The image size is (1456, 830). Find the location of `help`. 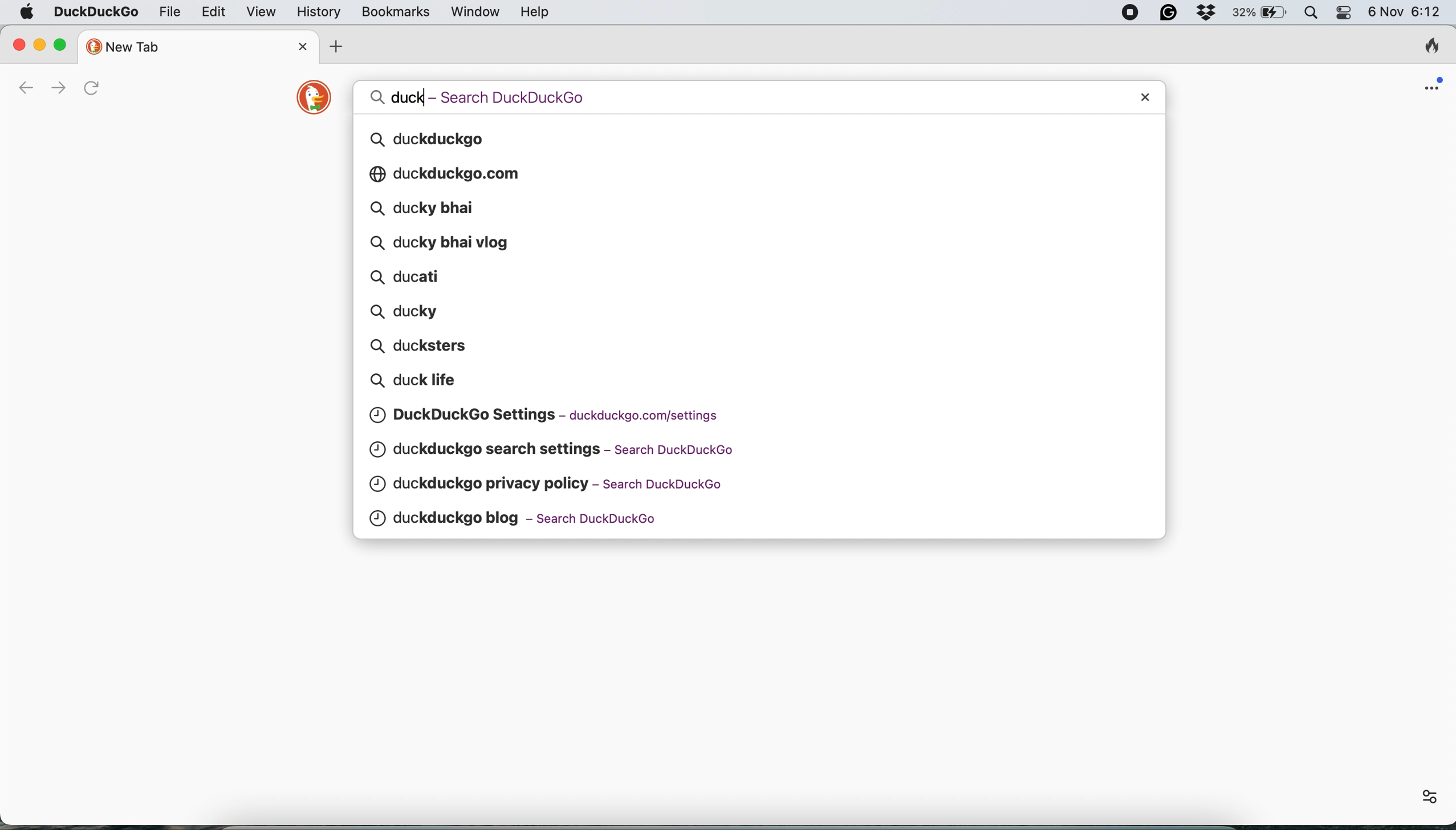

help is located at coordinates (537, 12).